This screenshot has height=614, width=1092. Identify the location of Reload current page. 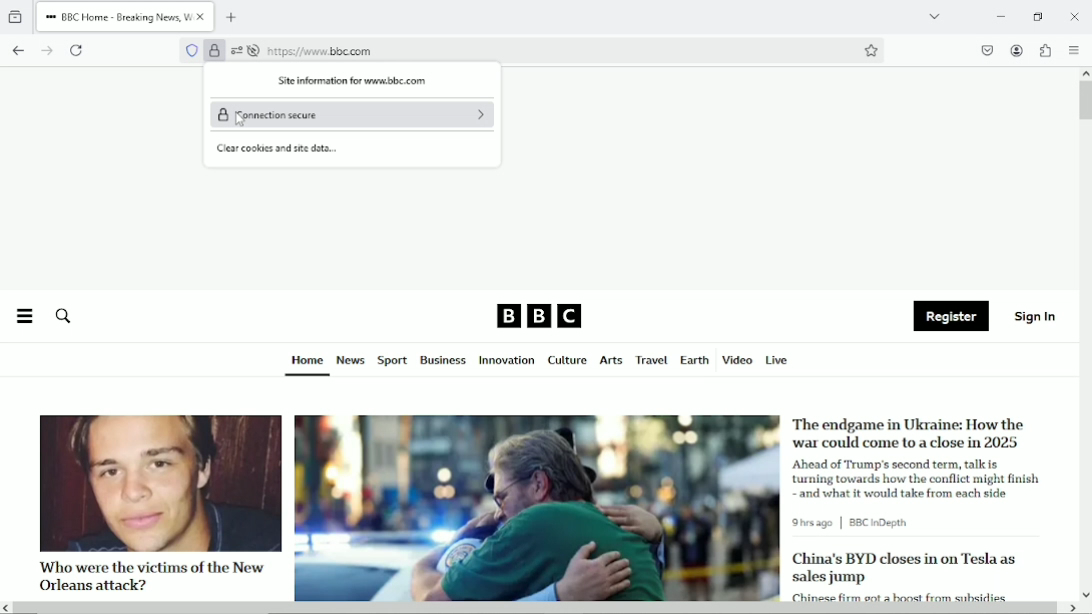
(79, 49).